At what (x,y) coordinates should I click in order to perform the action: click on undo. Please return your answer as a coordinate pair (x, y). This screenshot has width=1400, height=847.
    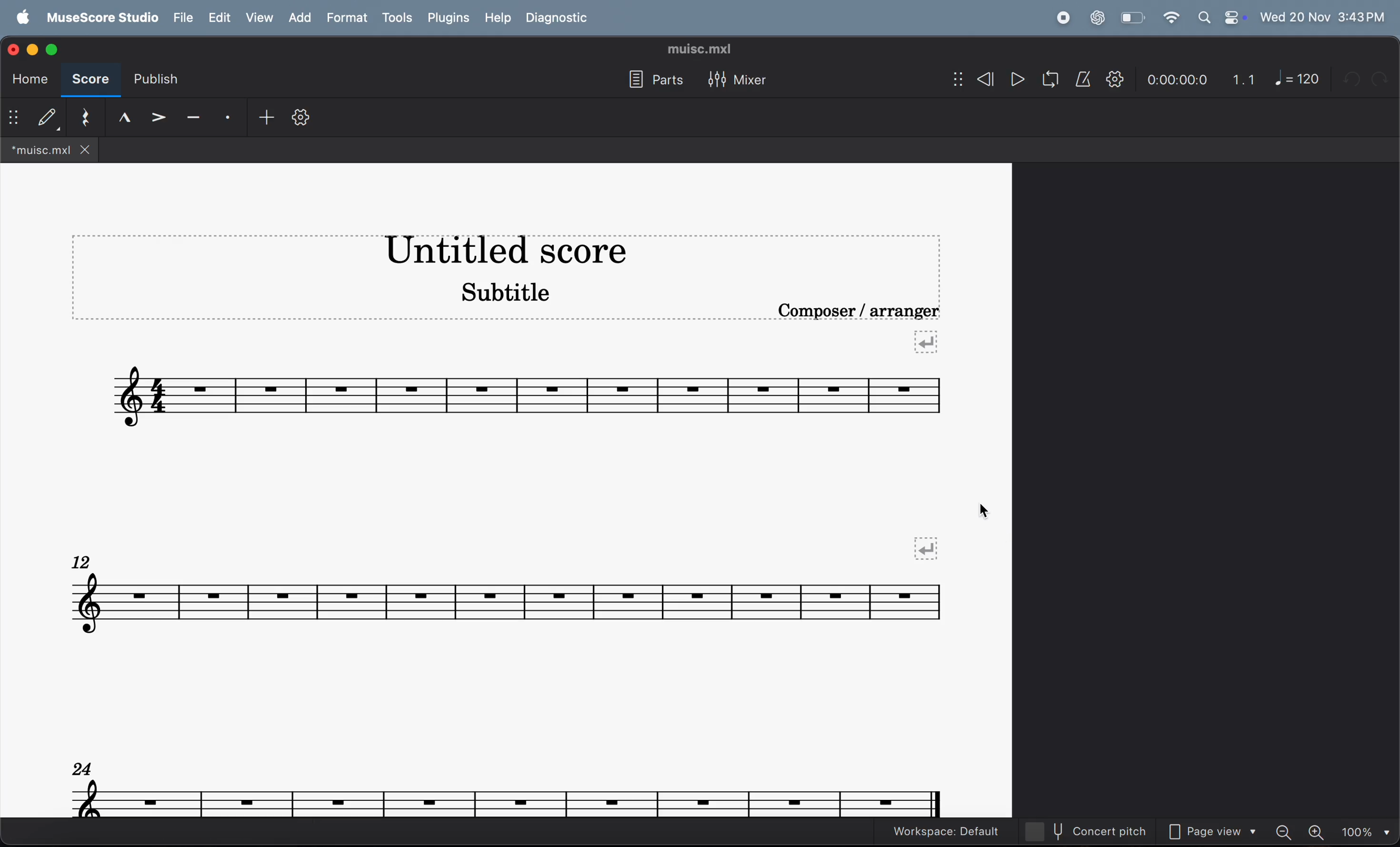
    Looking at the image, I should click on (1351, 78).